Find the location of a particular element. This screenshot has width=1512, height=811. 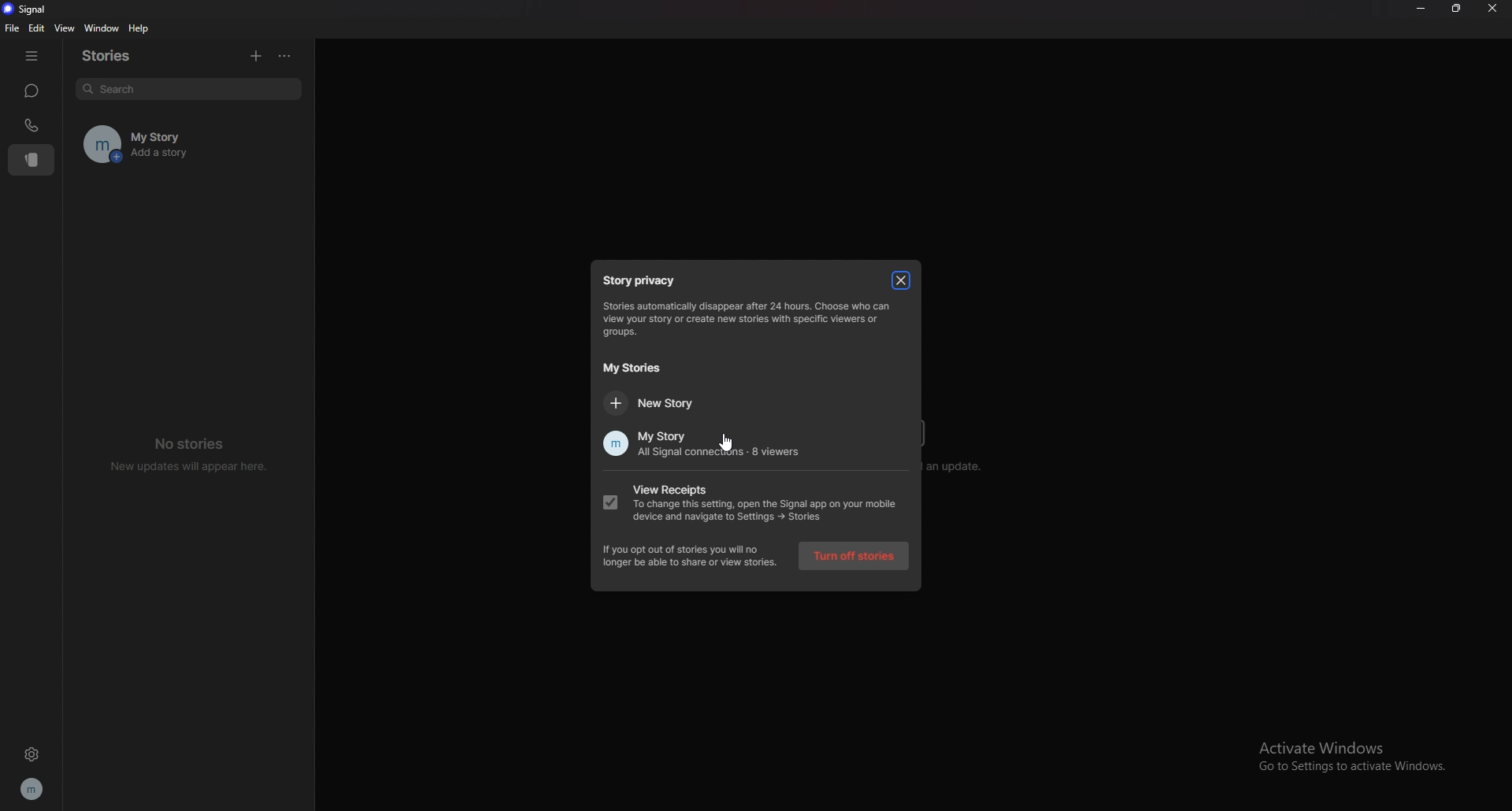

signal is located at coordinates (28, 9).